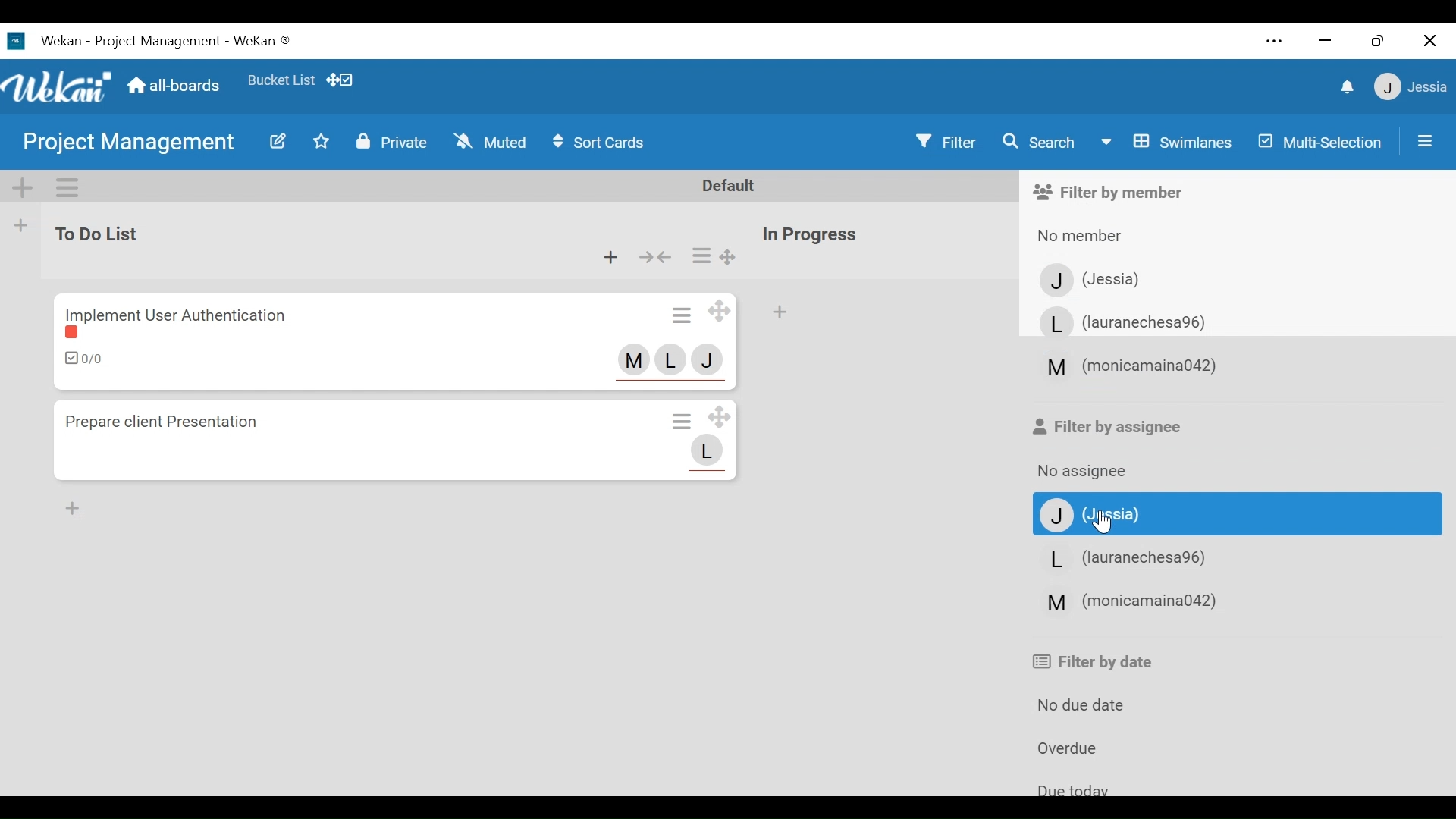 Image resolution: width=1456 pixels, height=819 pixels. What do you see at coordinates (1319, 141) in the screenshot?
I see `Multi-Selection` at bounding box center [1319, 141].